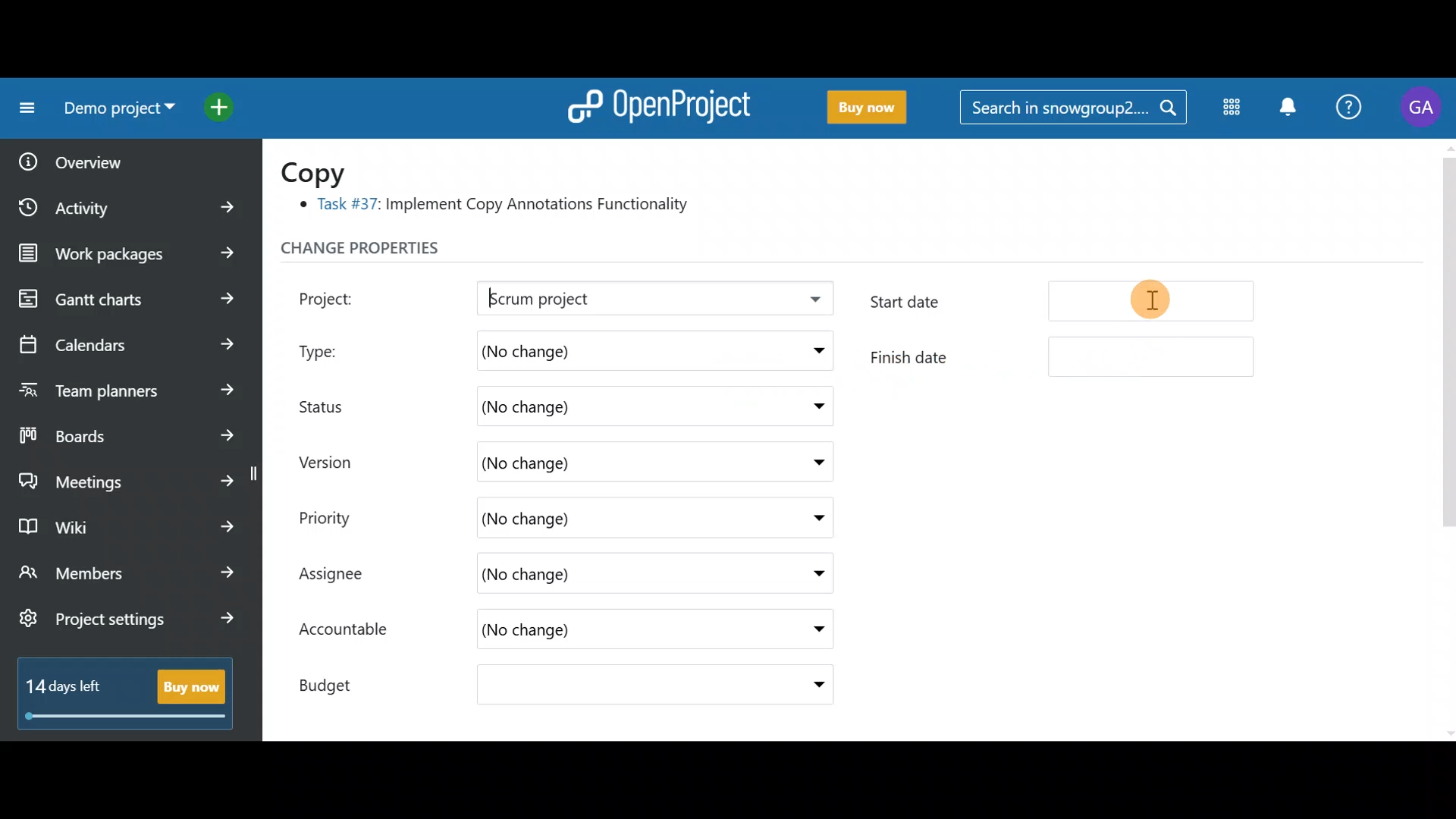 This screenshot has width=1456, height=819. What do you see at coordinates (1447, 438) in the screenshot?
I see `Scroll bar` at bounding box center [1447, 438].